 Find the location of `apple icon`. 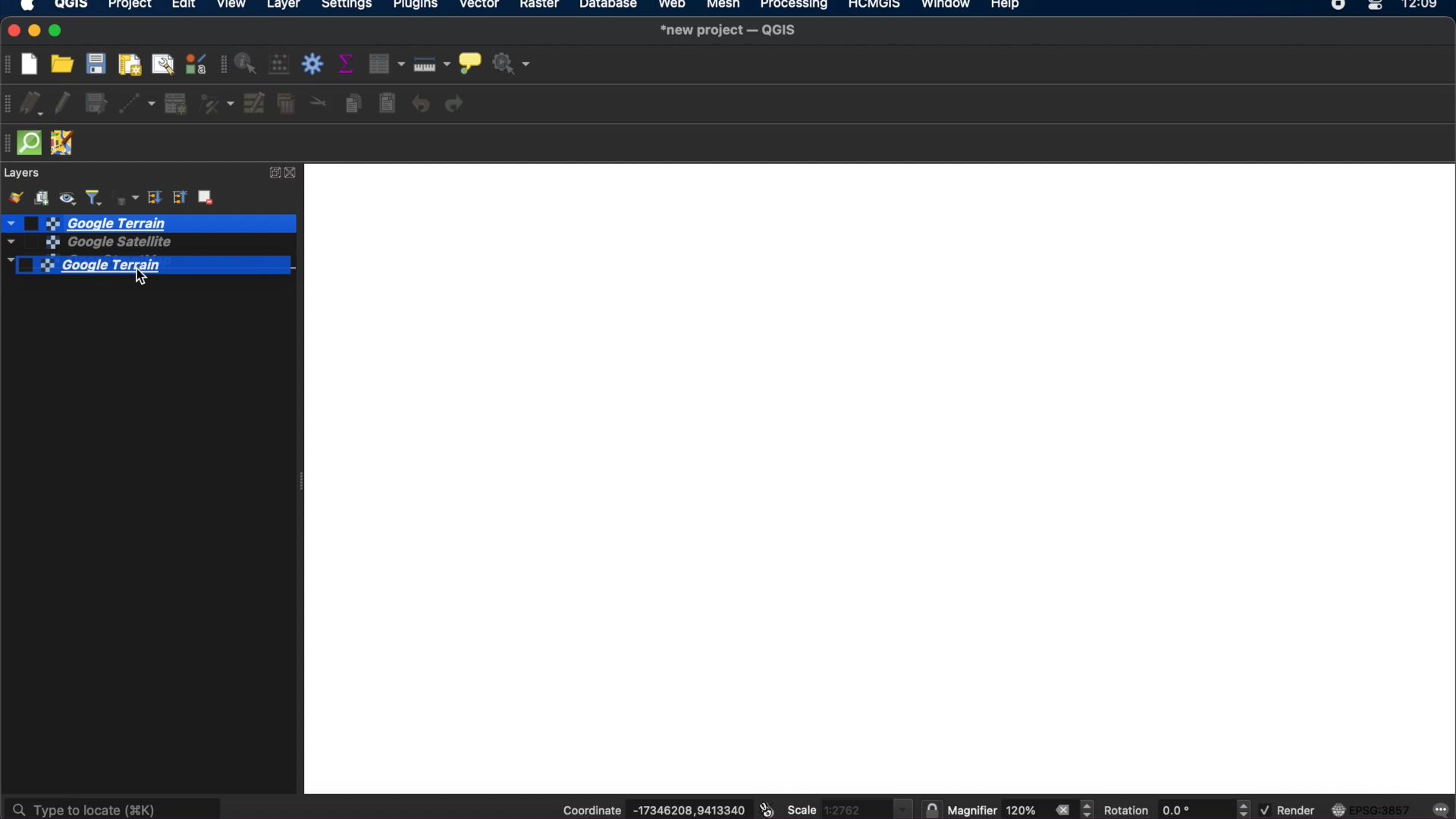

apple icon is located at coordinates (33, 7).